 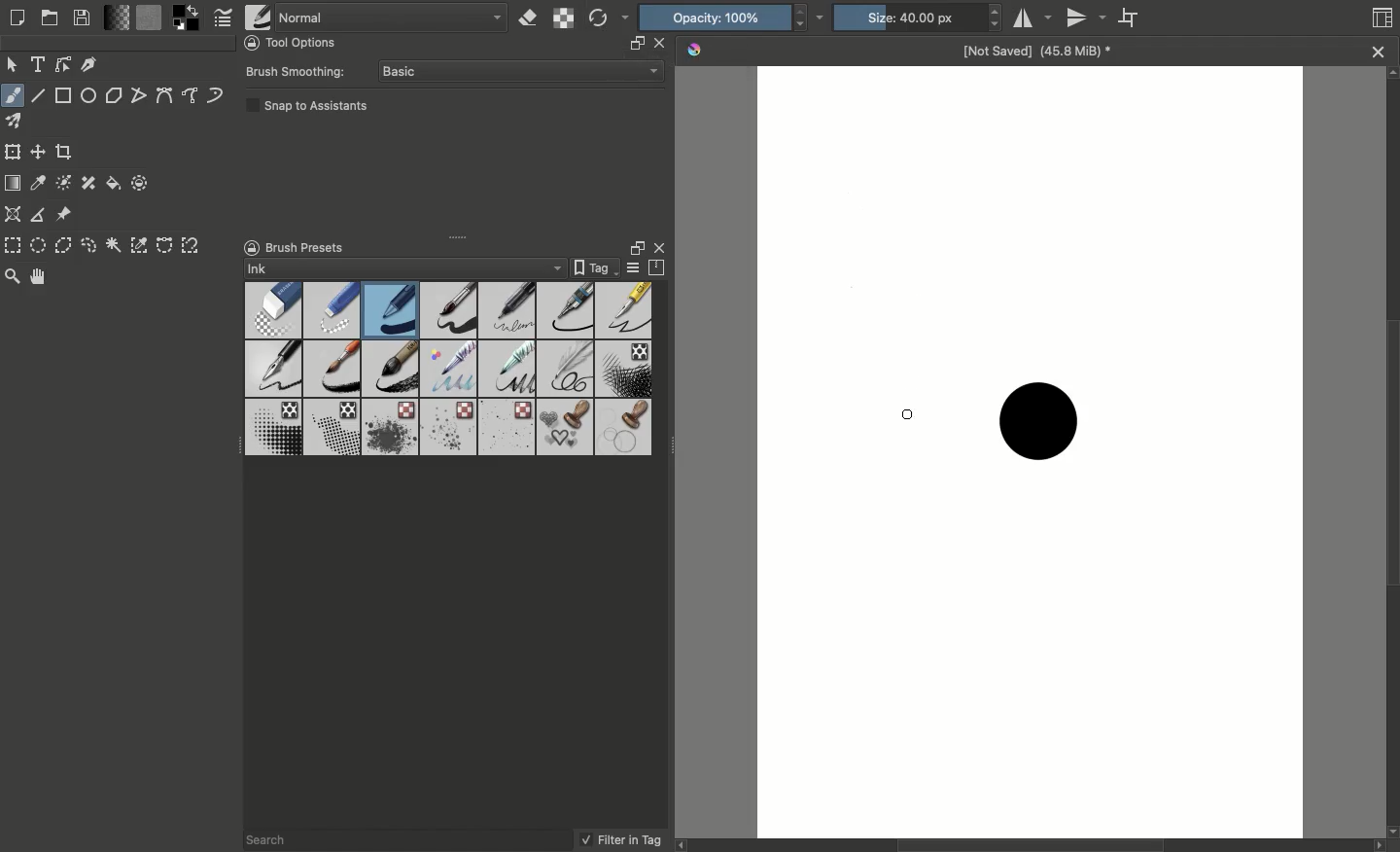 What do you see at coordinates (118, 17) in the screenshot?
I see `Fill gradients` at bounding box center [118, 17].